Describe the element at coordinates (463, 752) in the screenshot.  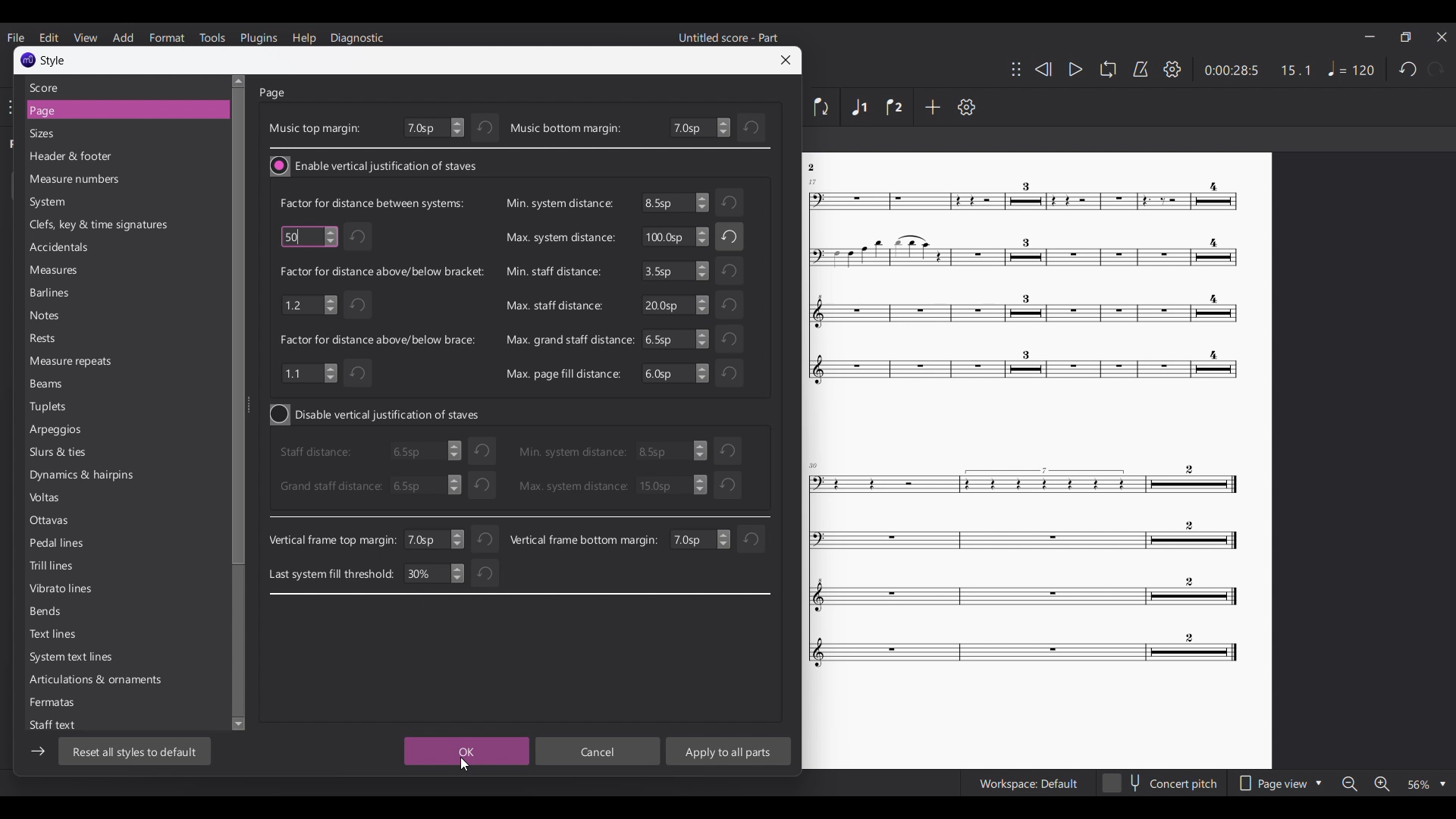
I see `OK` at that location.